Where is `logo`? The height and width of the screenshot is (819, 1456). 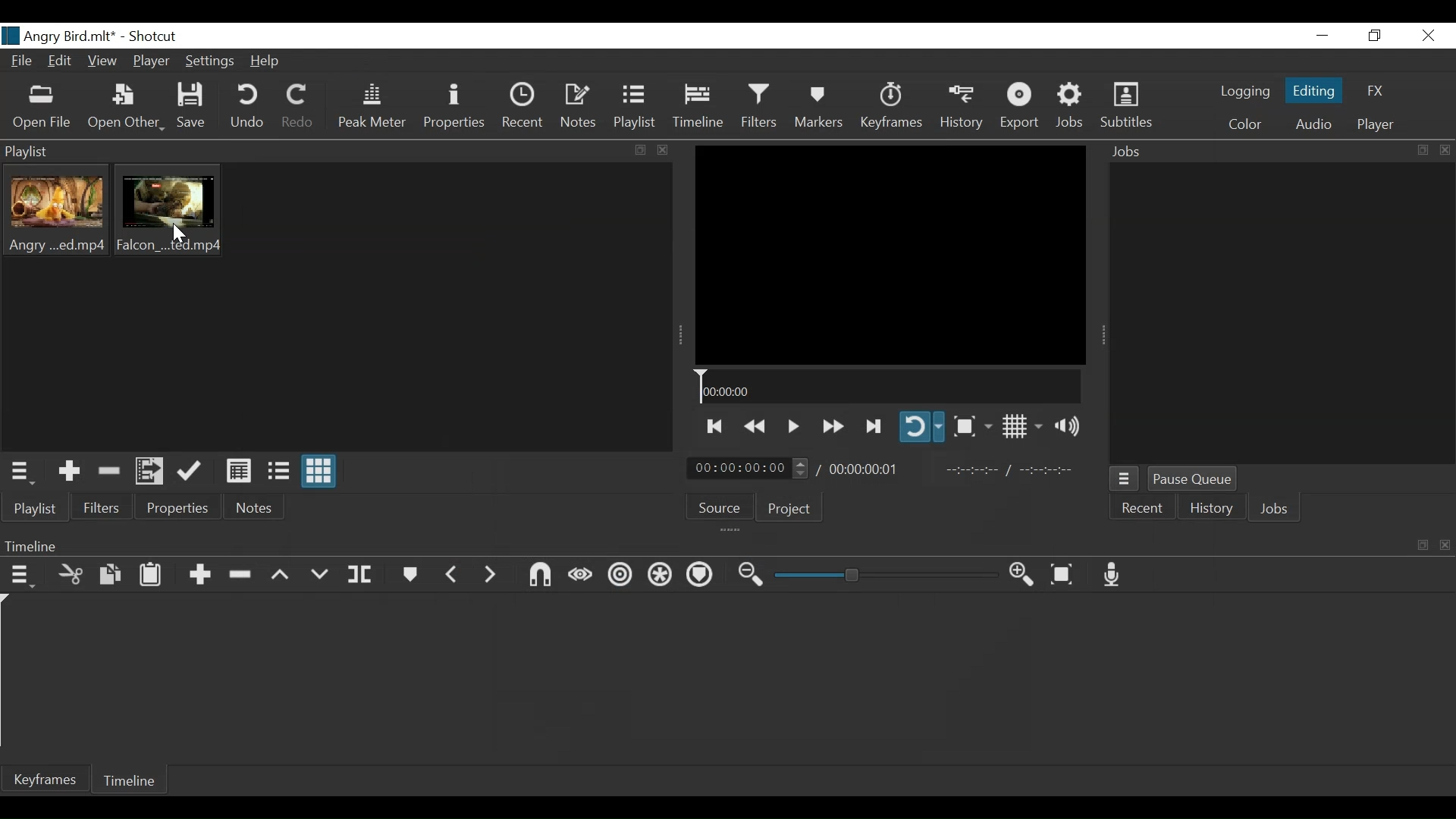
logo is located at coordinates (11, 36).